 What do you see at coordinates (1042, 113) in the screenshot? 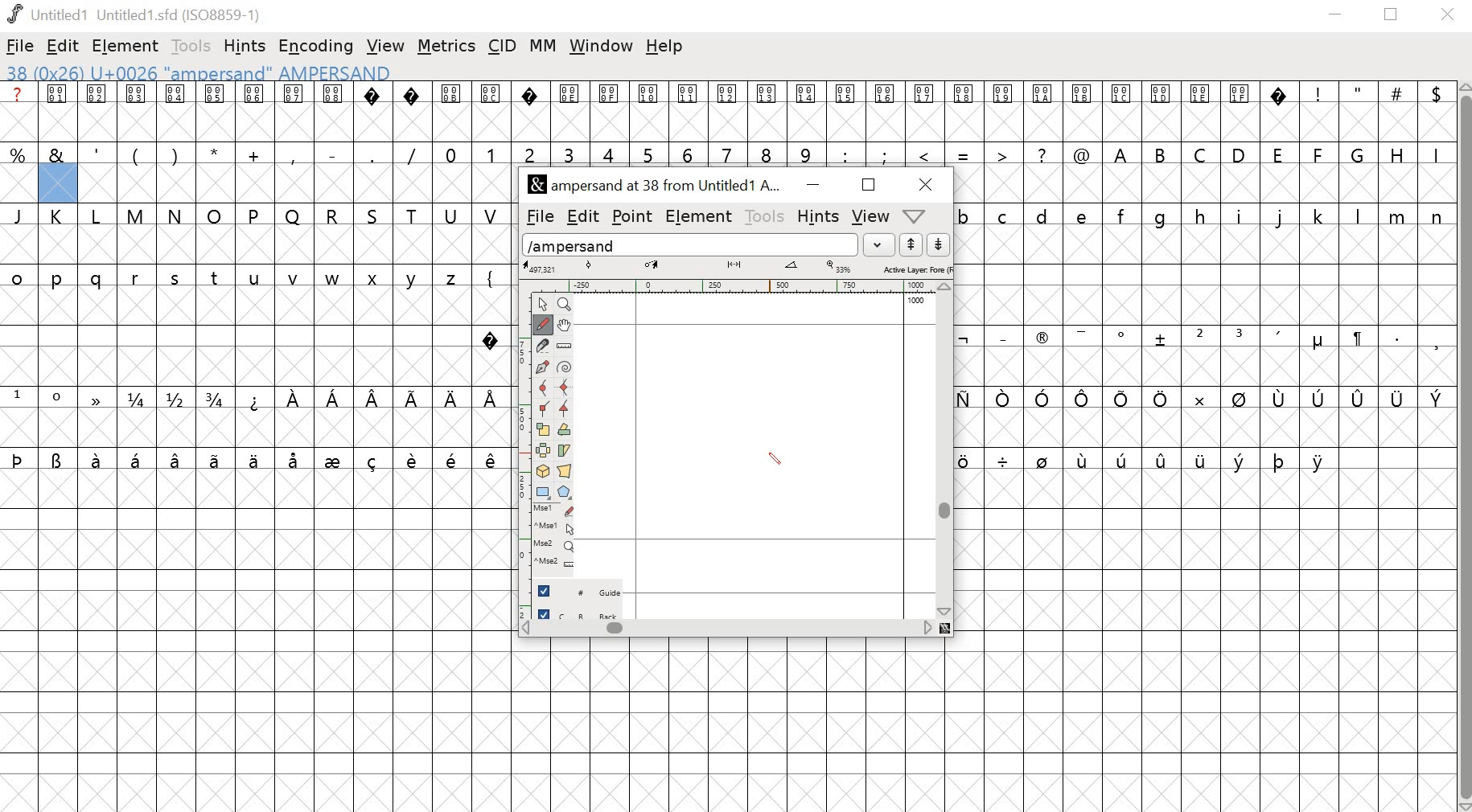
I see `001A` at bounding box center [1042, 113].